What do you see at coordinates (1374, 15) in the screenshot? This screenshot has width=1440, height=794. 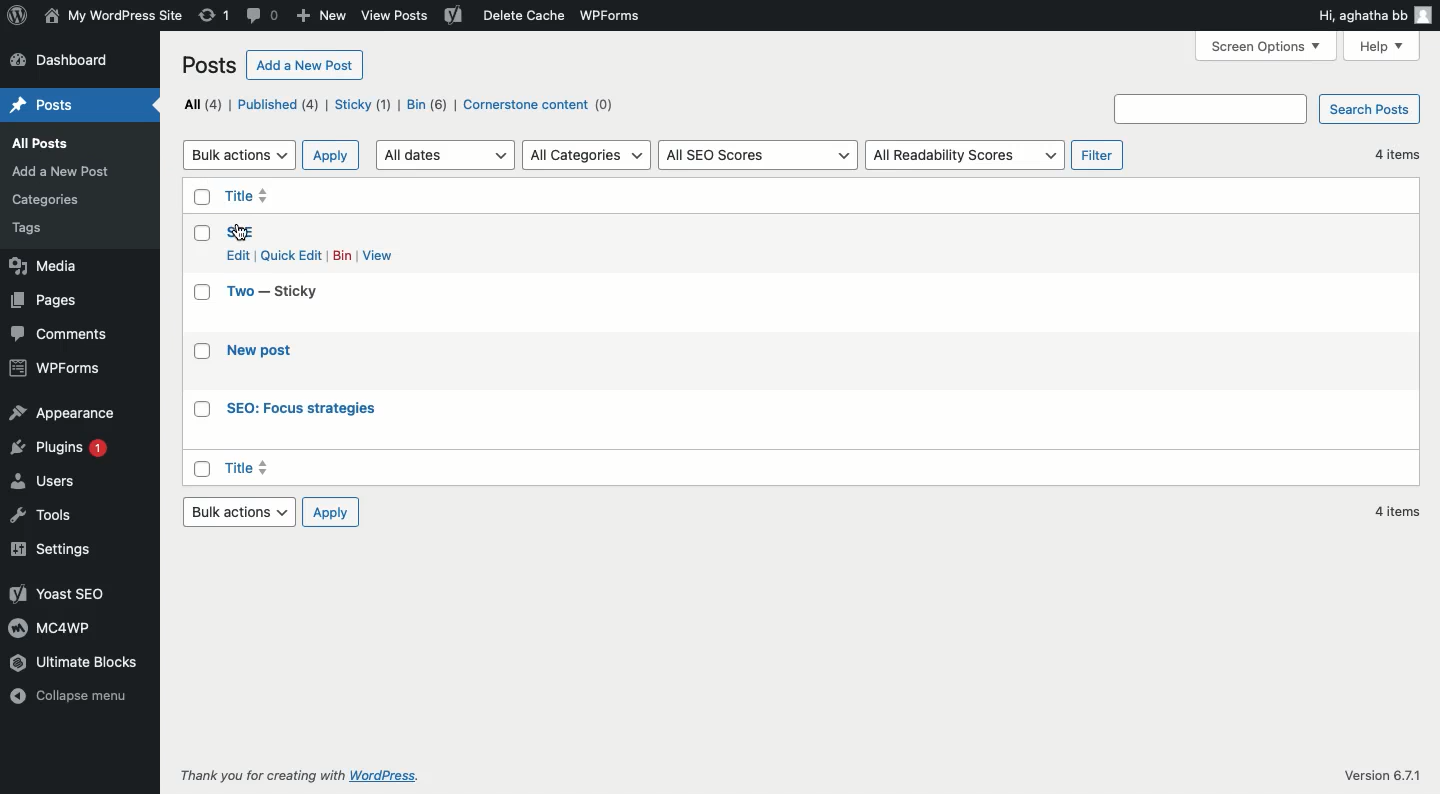 I see `Hi, aghatha bb ` at bounding box center [1374, 15].